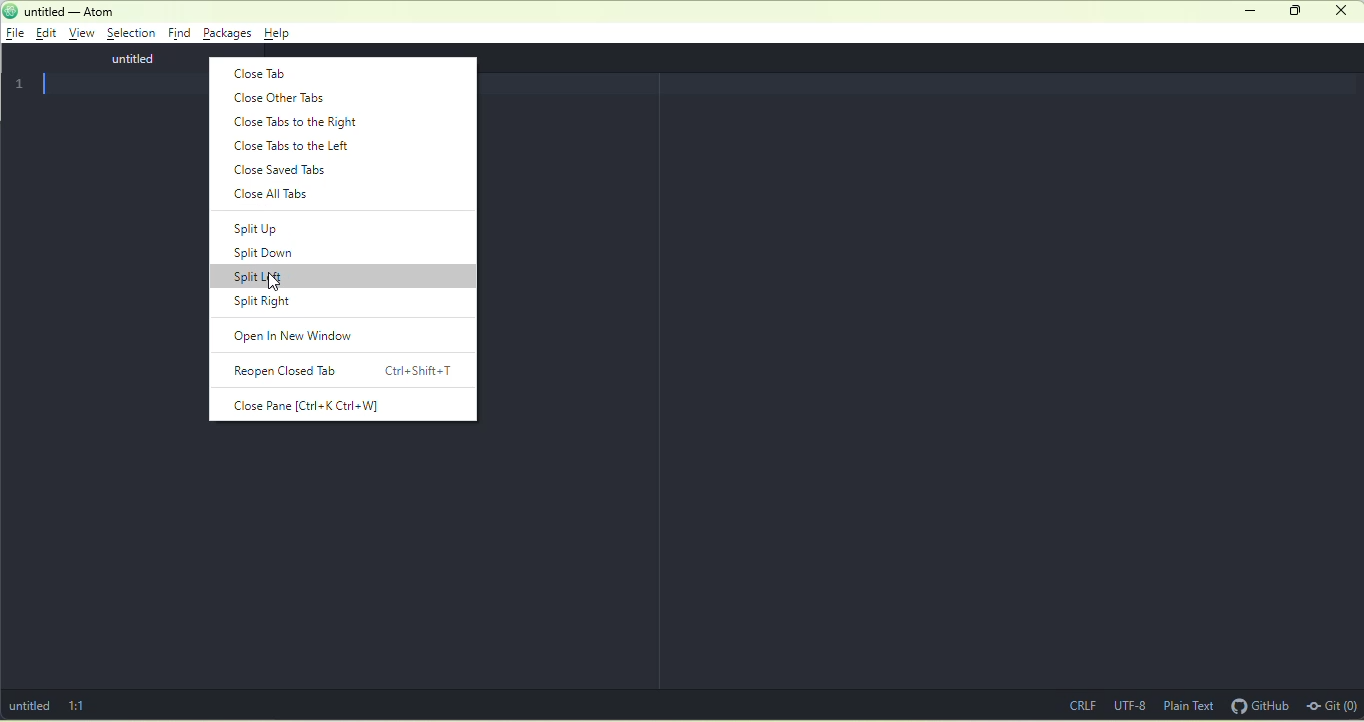 This screenshot has width=1364, height=722. What do you see at coordinates (61, 12) in the screenshot?
I see `title` at bounding box center [61, 12].